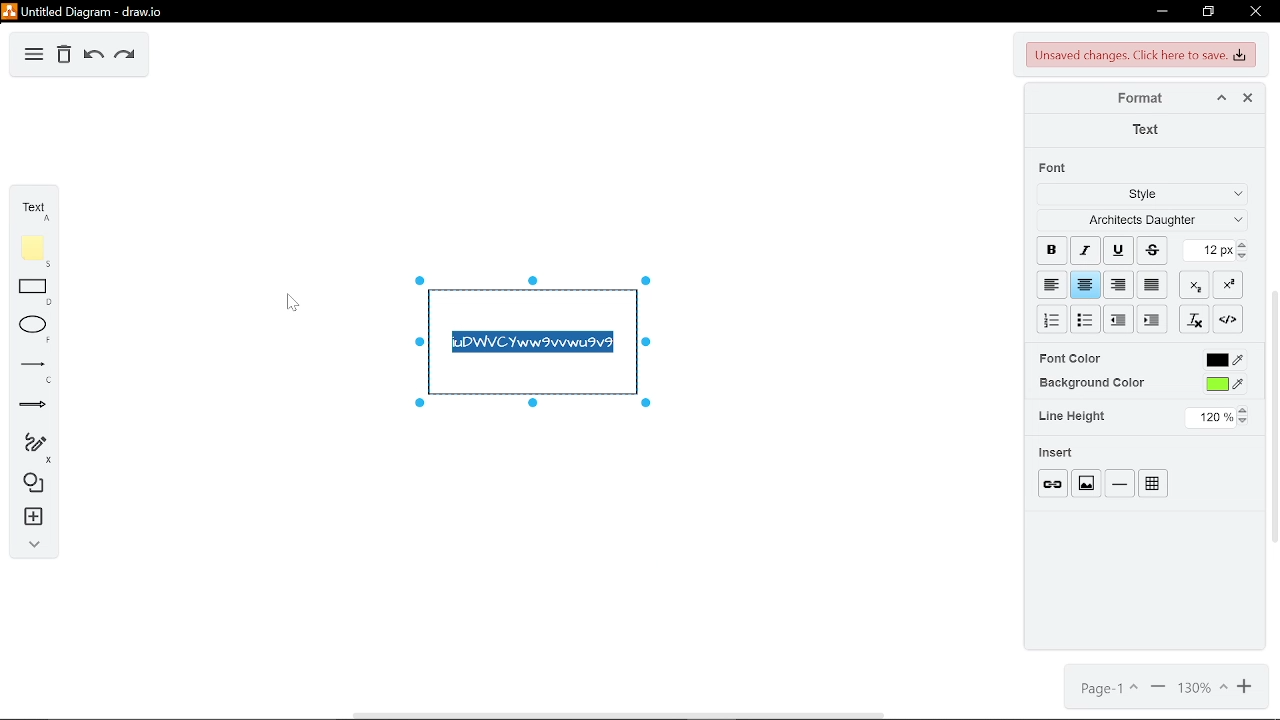 Image resolution: width=1280 pixels, height=720 pixels. I want to click on shapes, so click(31, 485).